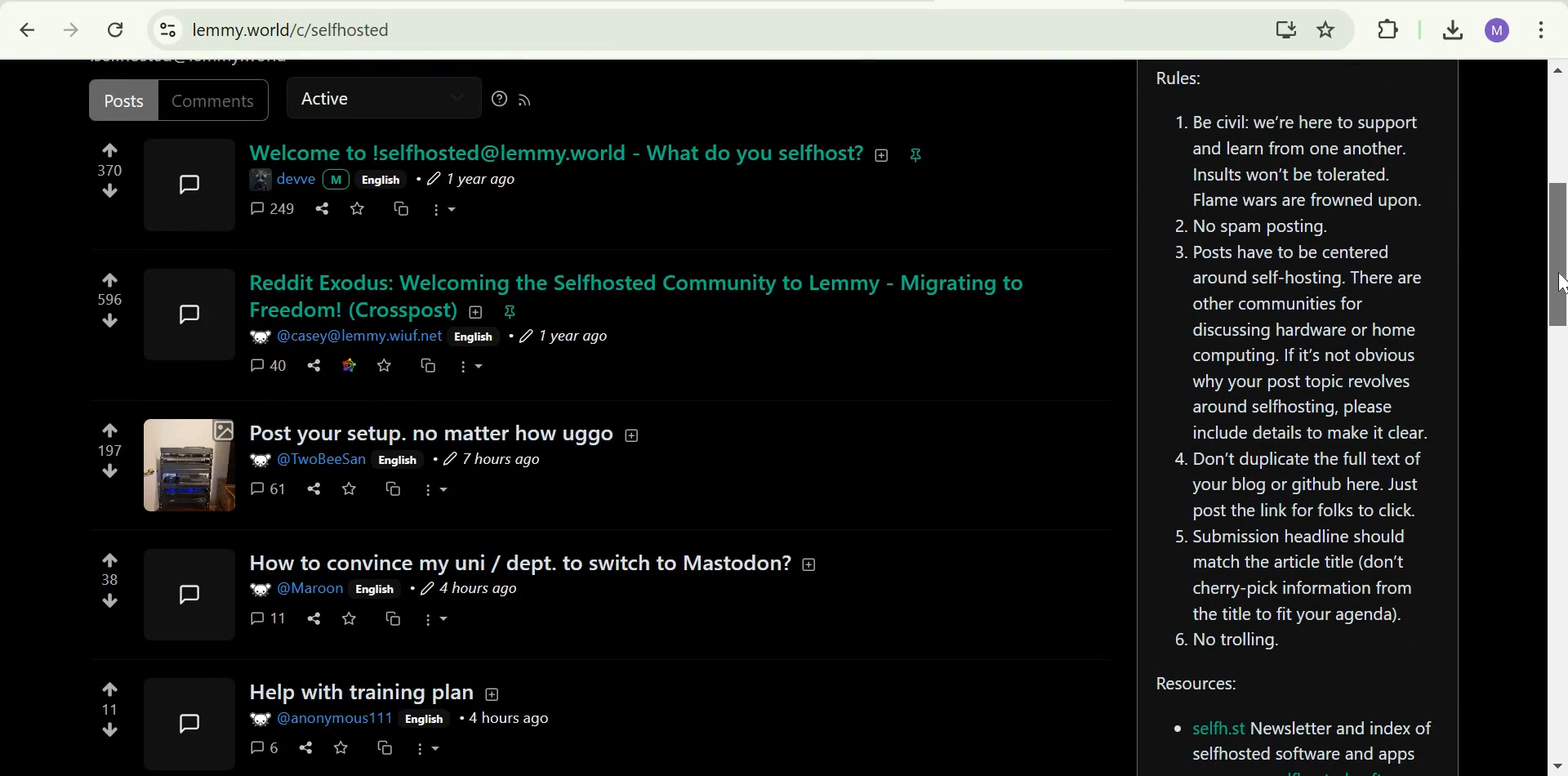 This screenshot has height=776, width=1568. What do you see at coordinates (916, 154) in the screenshot?
I see `pinnned` at bounding box center [916, 154].